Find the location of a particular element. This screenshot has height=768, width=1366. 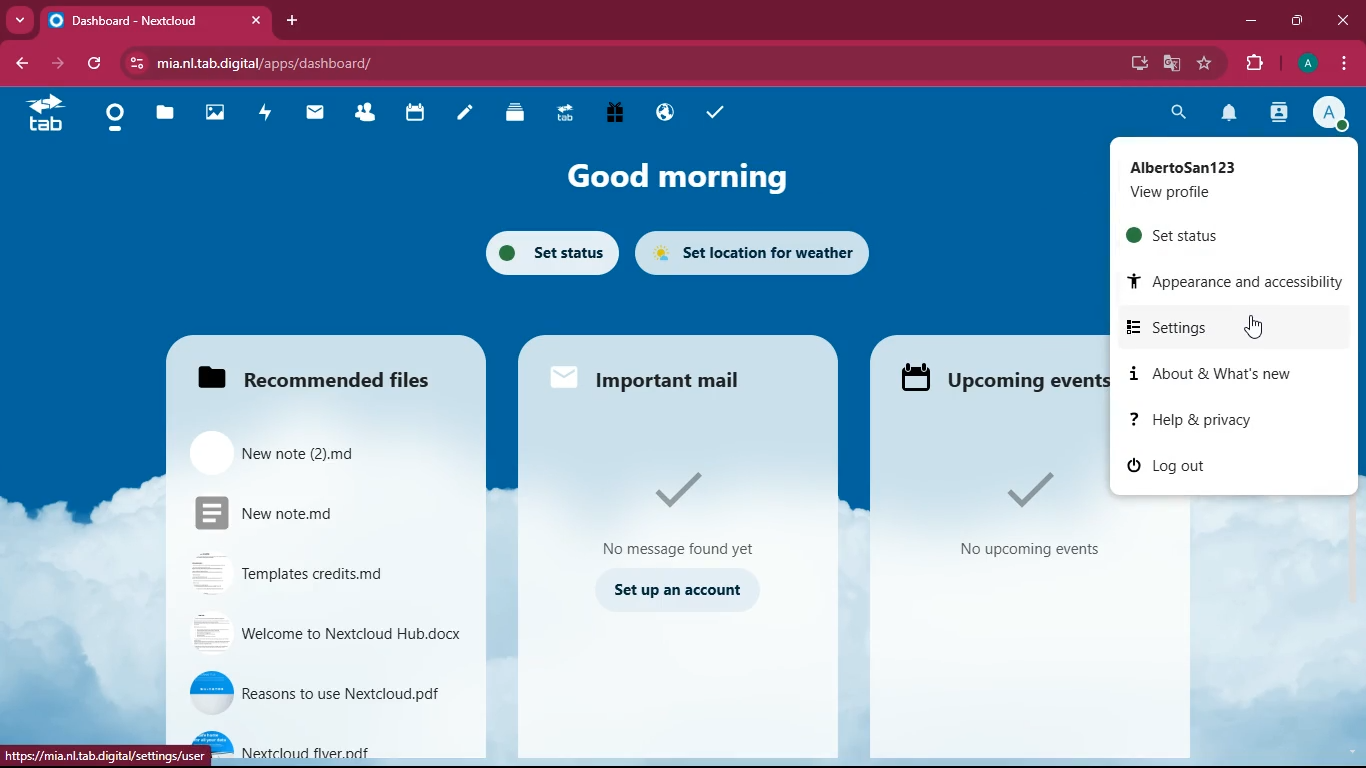

forward is located at coordinates (55, 64).